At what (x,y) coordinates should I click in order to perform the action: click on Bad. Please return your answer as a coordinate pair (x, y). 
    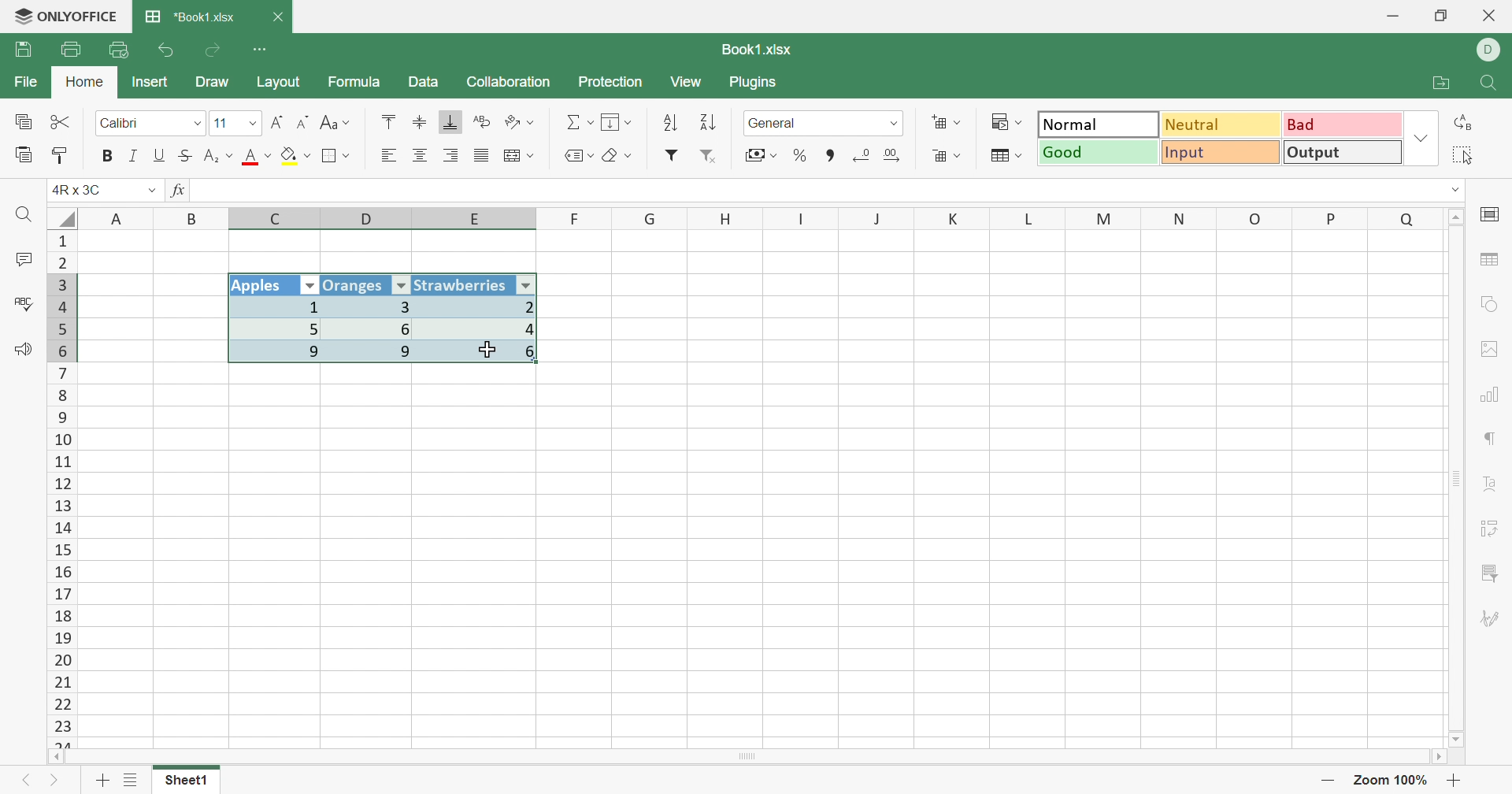
    Looking at the image, I should click on (1340, 124).